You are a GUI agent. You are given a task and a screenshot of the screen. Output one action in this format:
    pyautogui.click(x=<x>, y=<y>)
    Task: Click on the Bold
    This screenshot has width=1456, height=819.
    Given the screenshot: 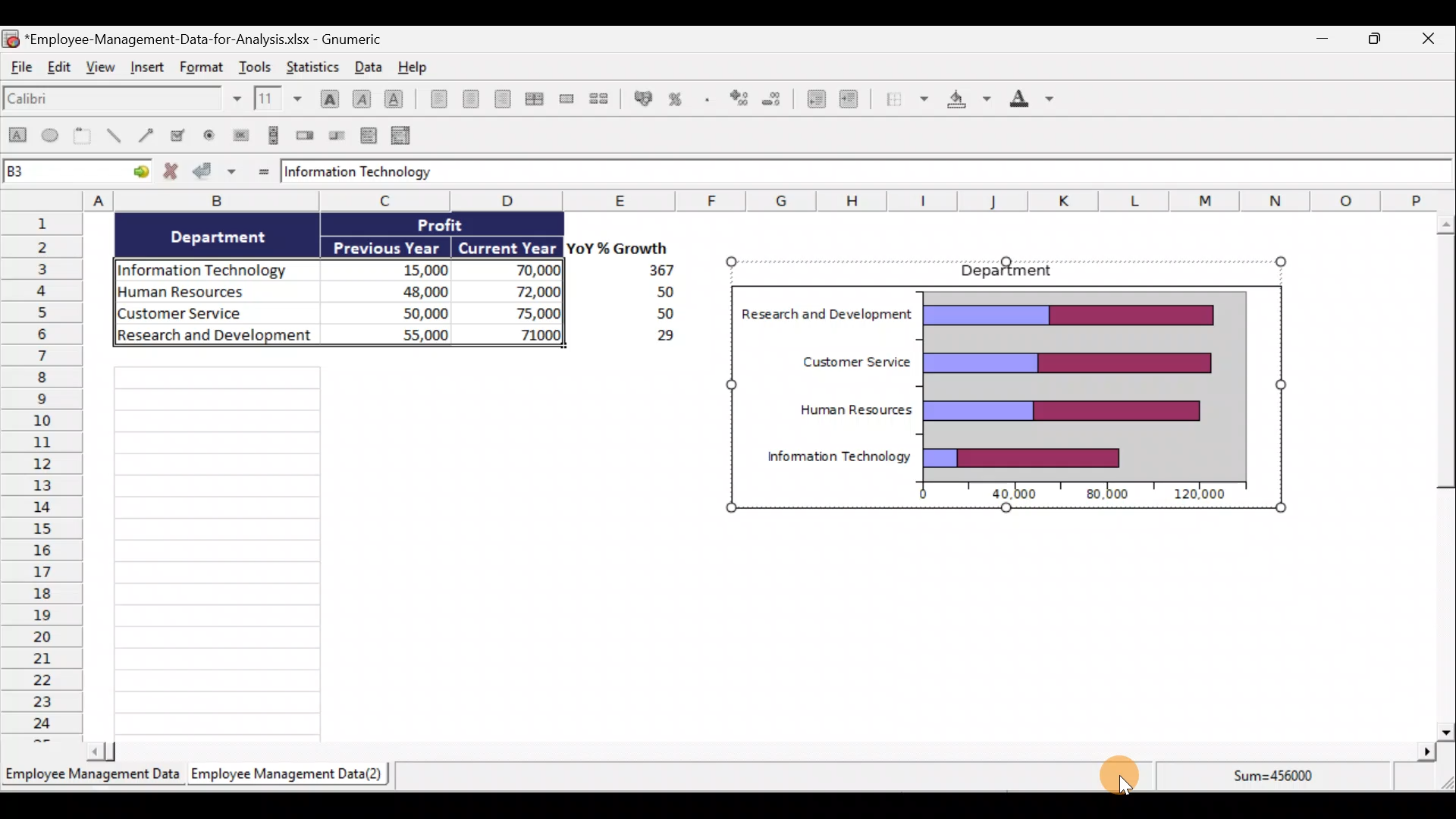 What is the action you would take?
    pyautogui.click(x=327, y=93)
    